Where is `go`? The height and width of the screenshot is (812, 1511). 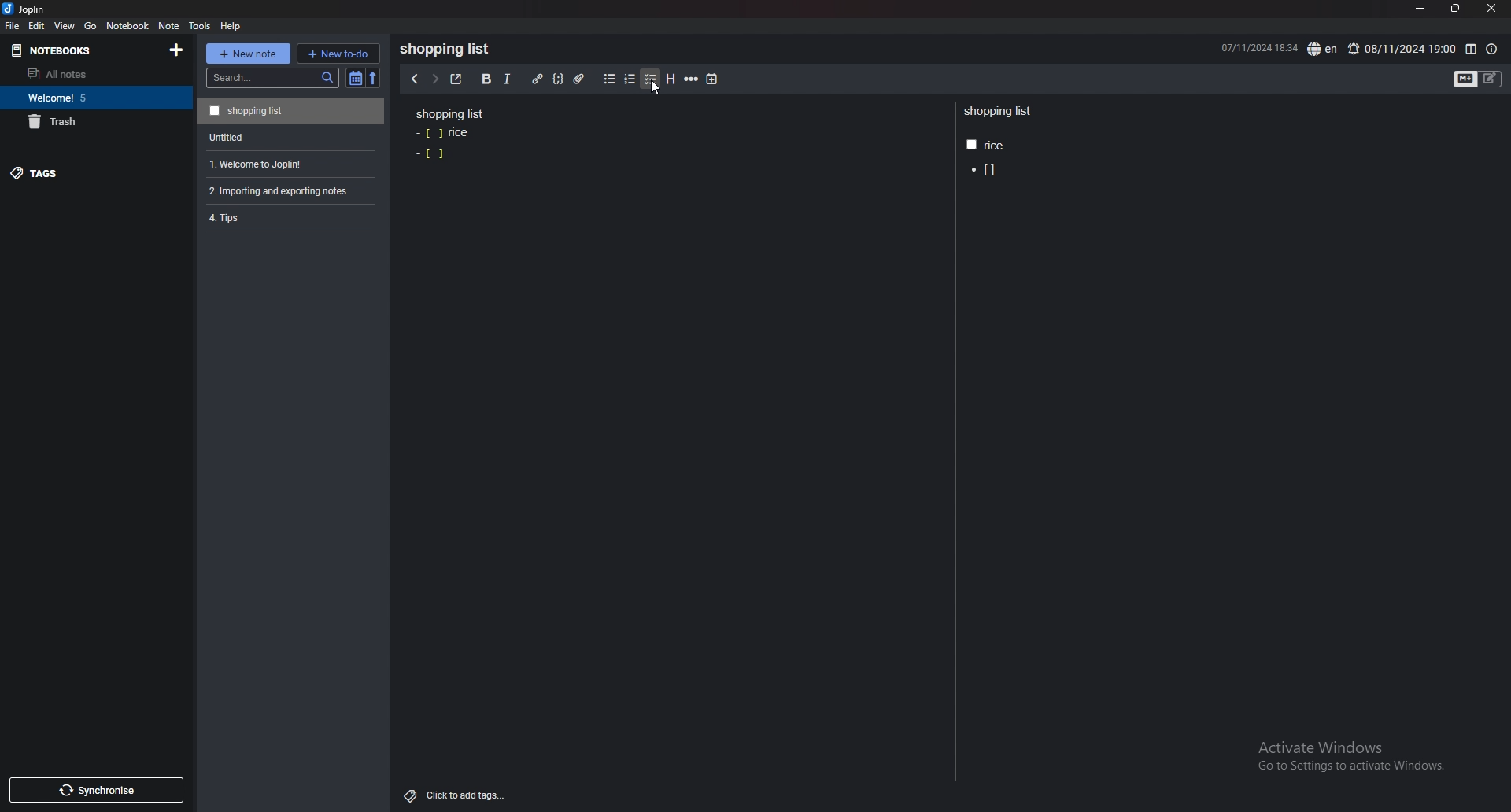
go is located at coordinates (91, 27).